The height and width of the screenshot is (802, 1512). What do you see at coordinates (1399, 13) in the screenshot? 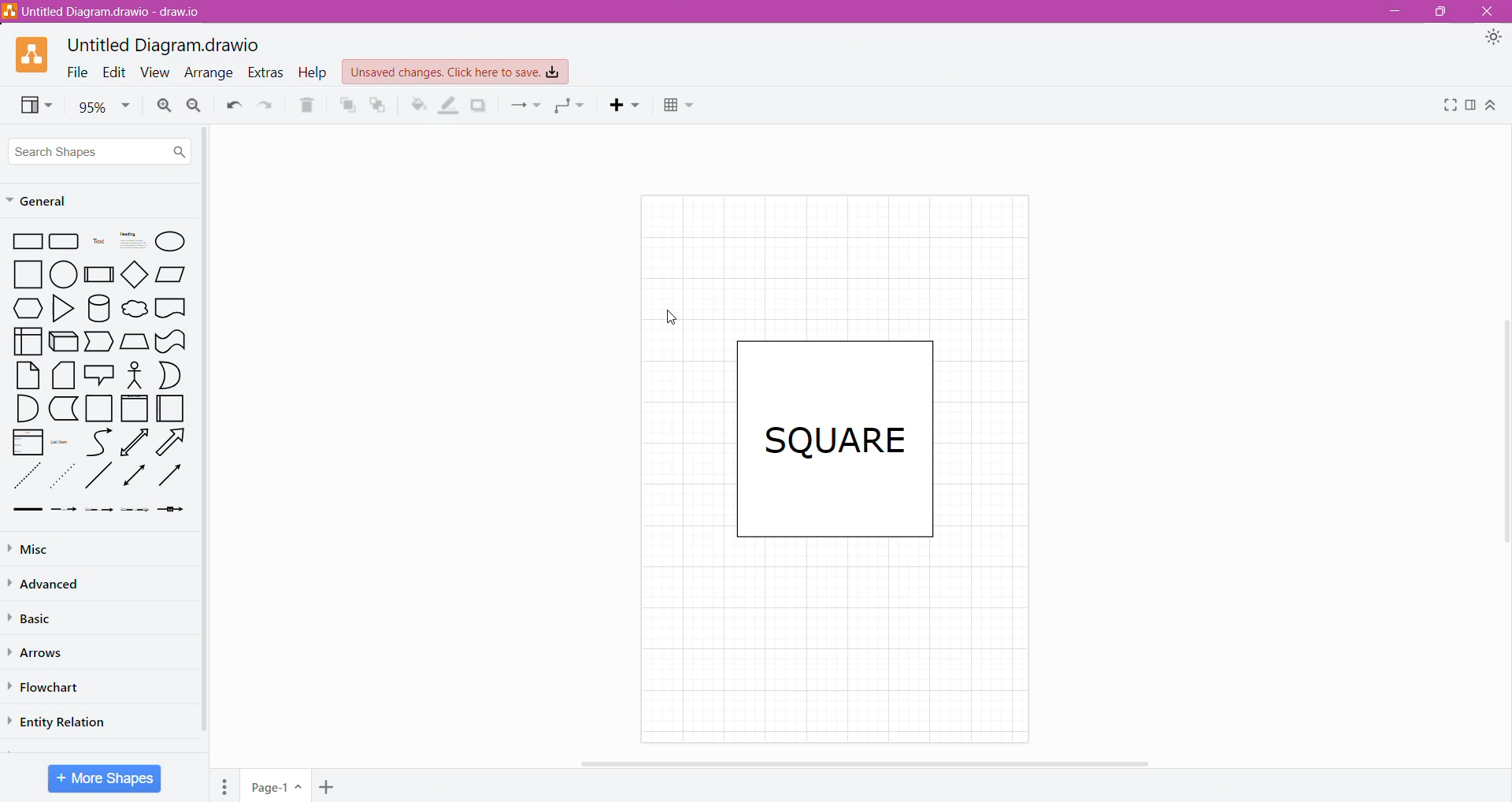
I see `Minimize` at bounding box center [1399, 13].